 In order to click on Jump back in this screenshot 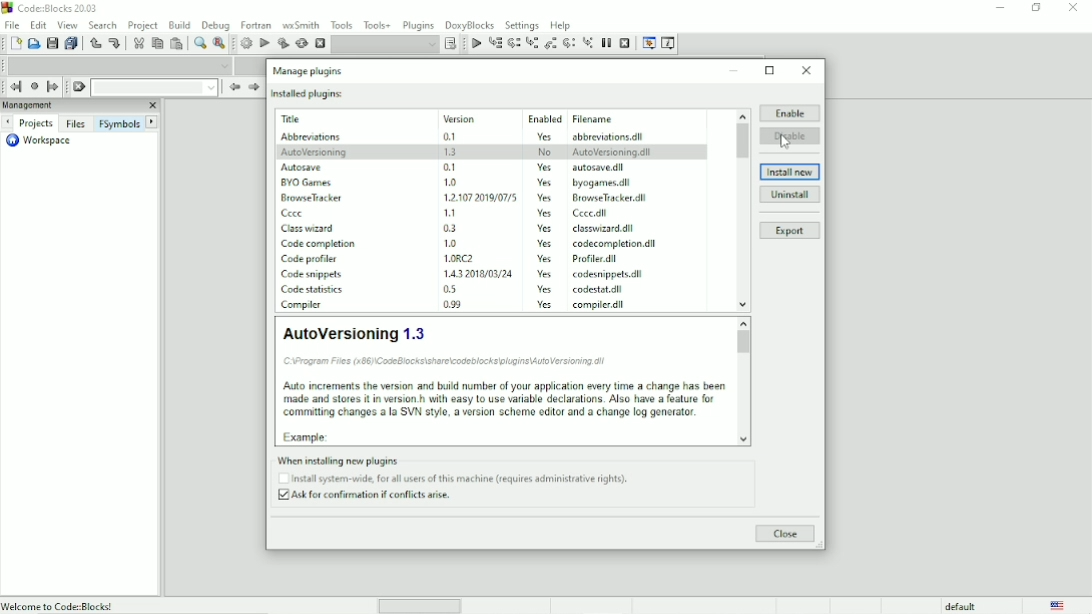, I will do `click(13, 87)`.